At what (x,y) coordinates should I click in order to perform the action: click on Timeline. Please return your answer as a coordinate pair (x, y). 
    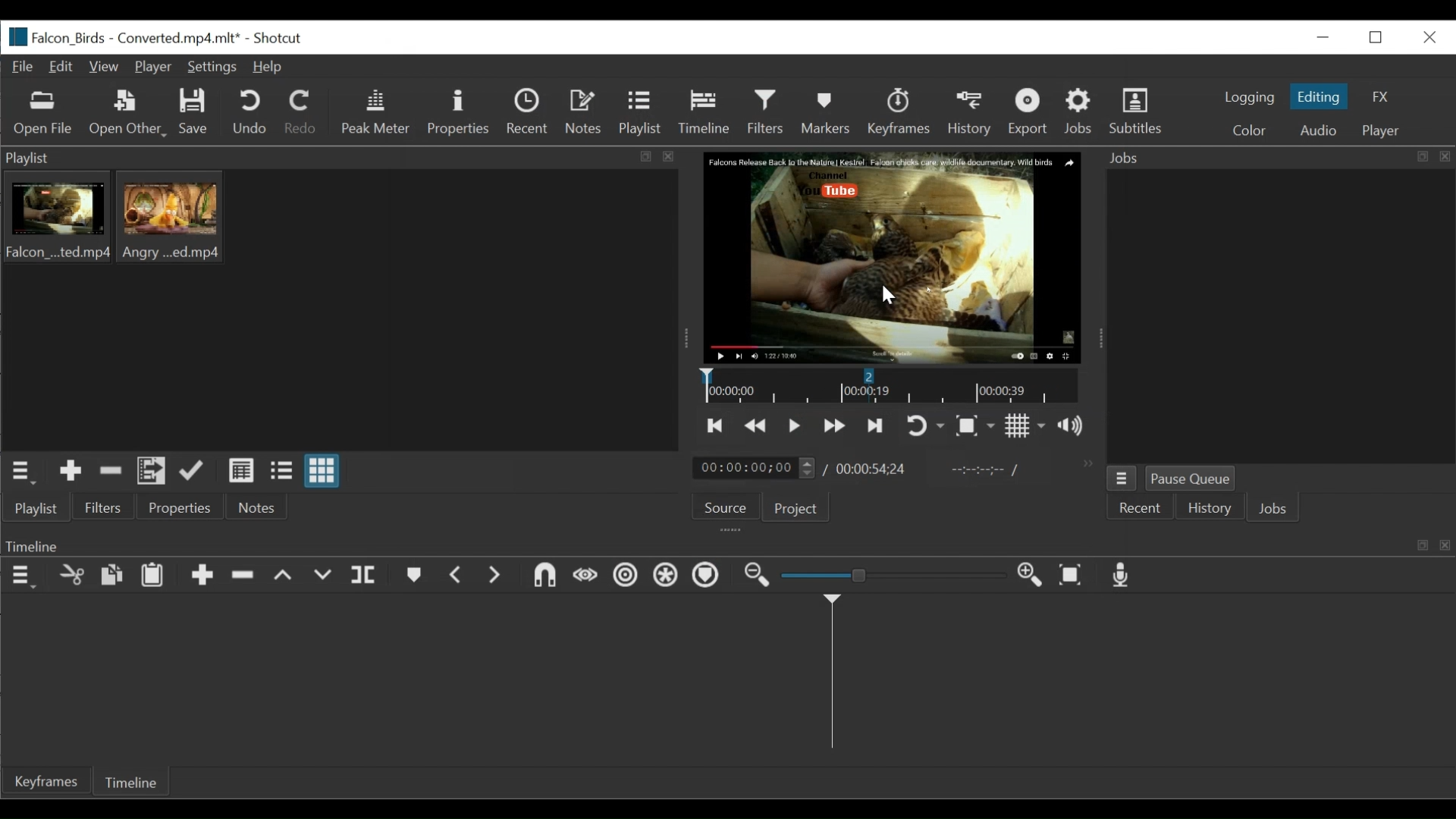
    Looking at the image, I should click on (130, 781).